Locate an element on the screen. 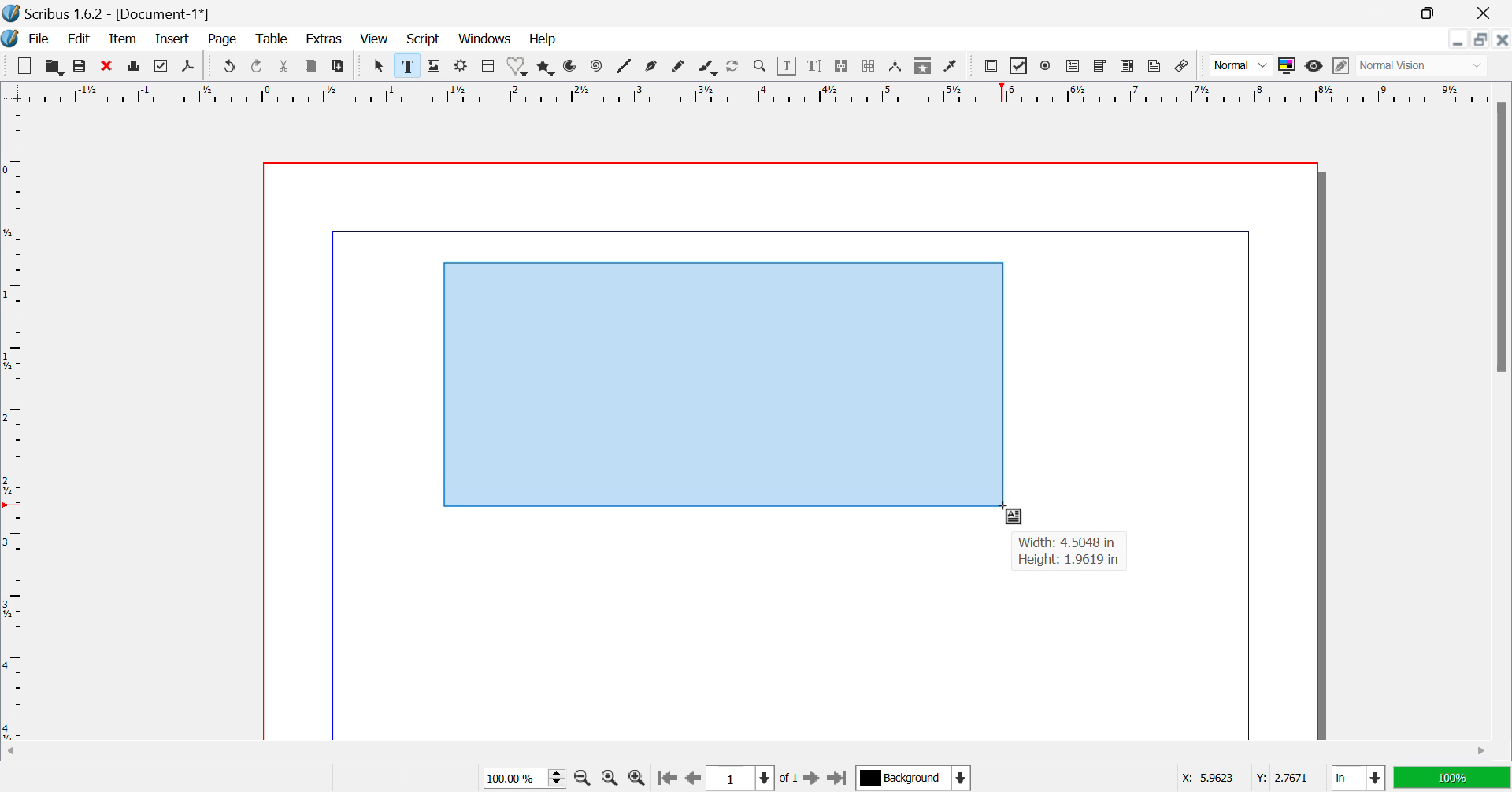  Vertical Scroll Bar is located at coordinates (1499, 418).